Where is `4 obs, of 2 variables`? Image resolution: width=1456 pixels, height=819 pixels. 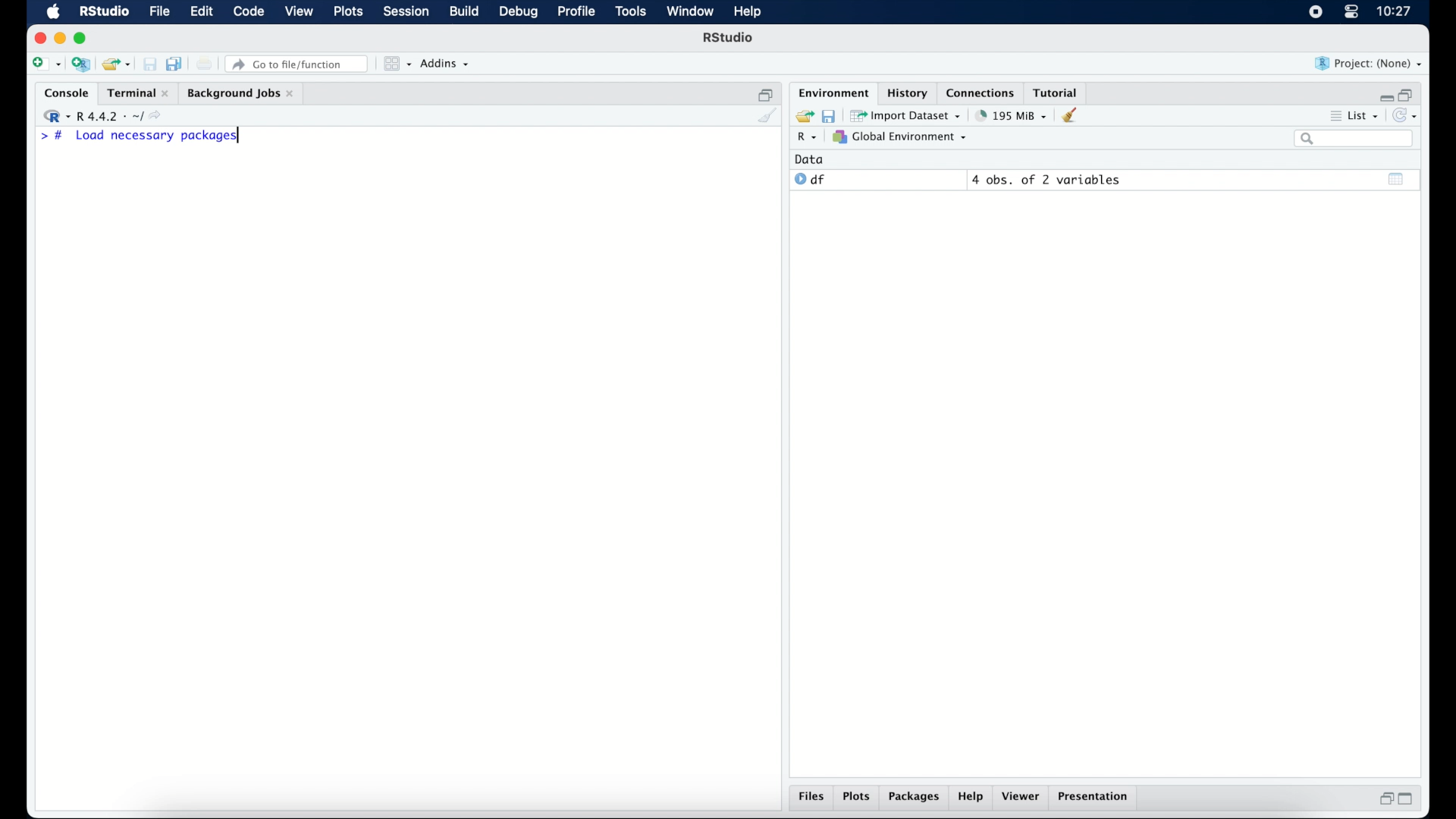
4 obs, of 2 variables is located at coordinates (1046, 180).